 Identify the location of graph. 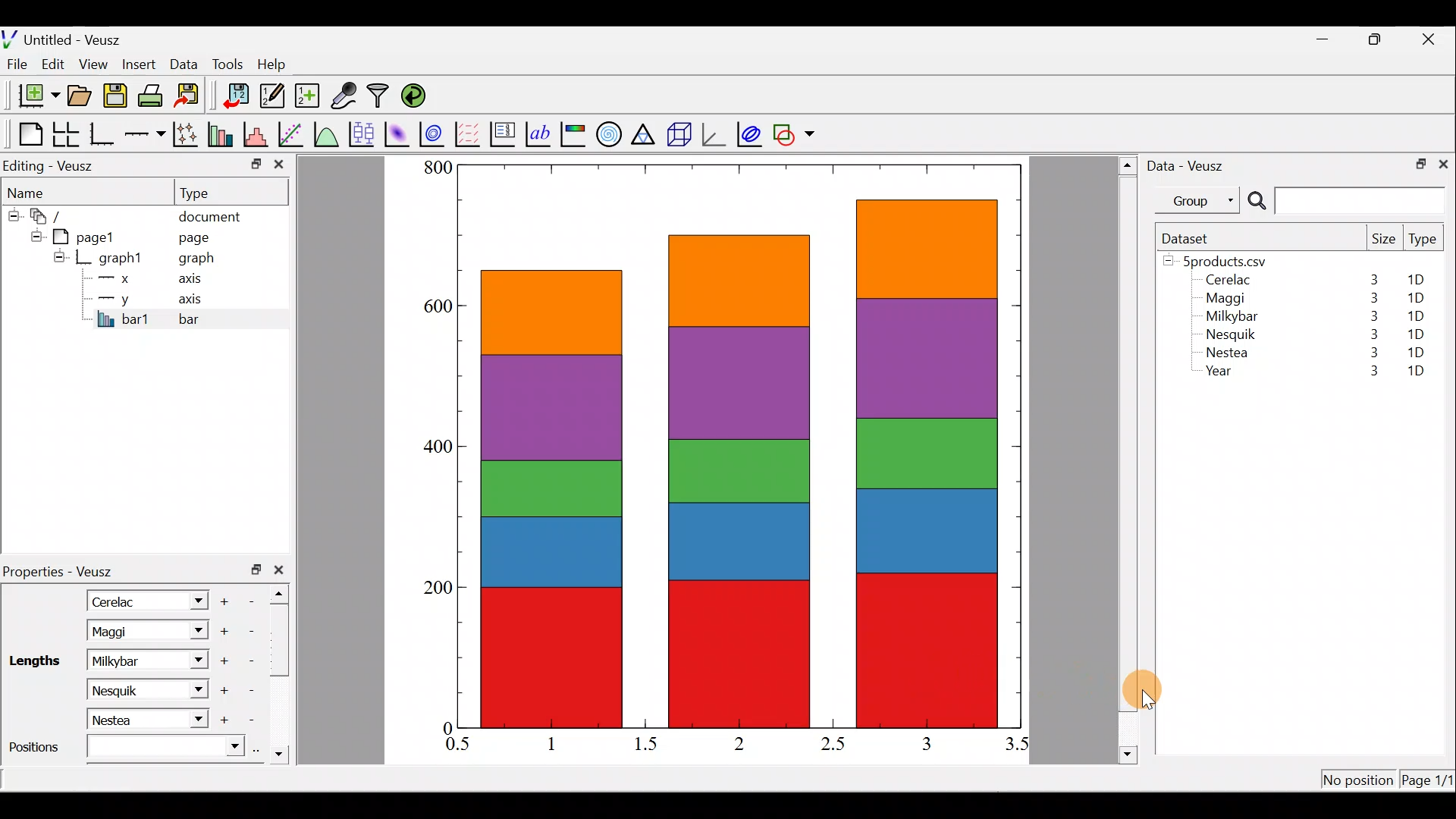
(196, 260).